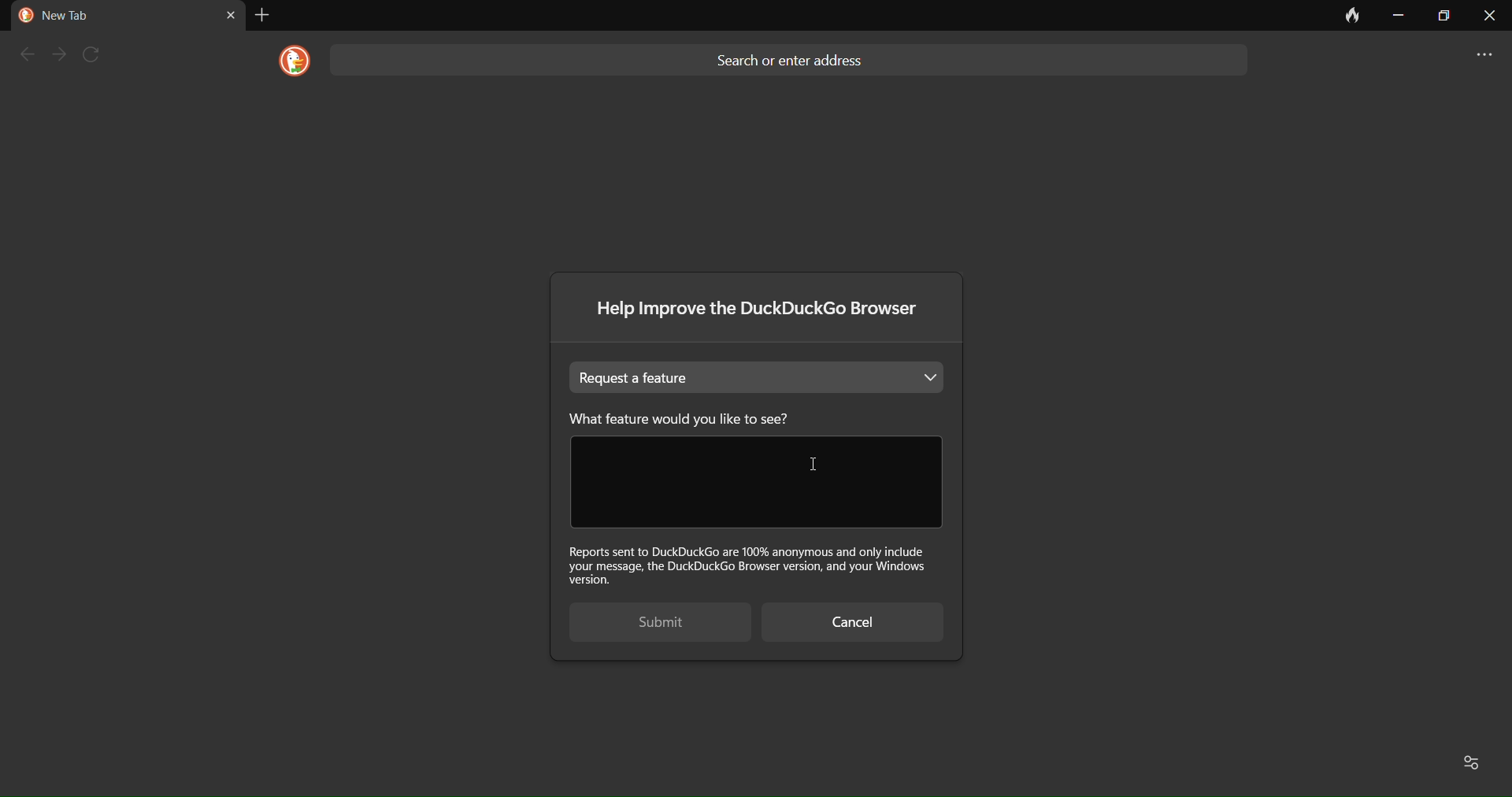 The height and width of the screenshot is (797, 1512). I want to click on Report sent to DuckDuckGo our hundred percent anonymous and only include your message, the DuckDuckGo browser version, and your Windows version, so click(753, 564).